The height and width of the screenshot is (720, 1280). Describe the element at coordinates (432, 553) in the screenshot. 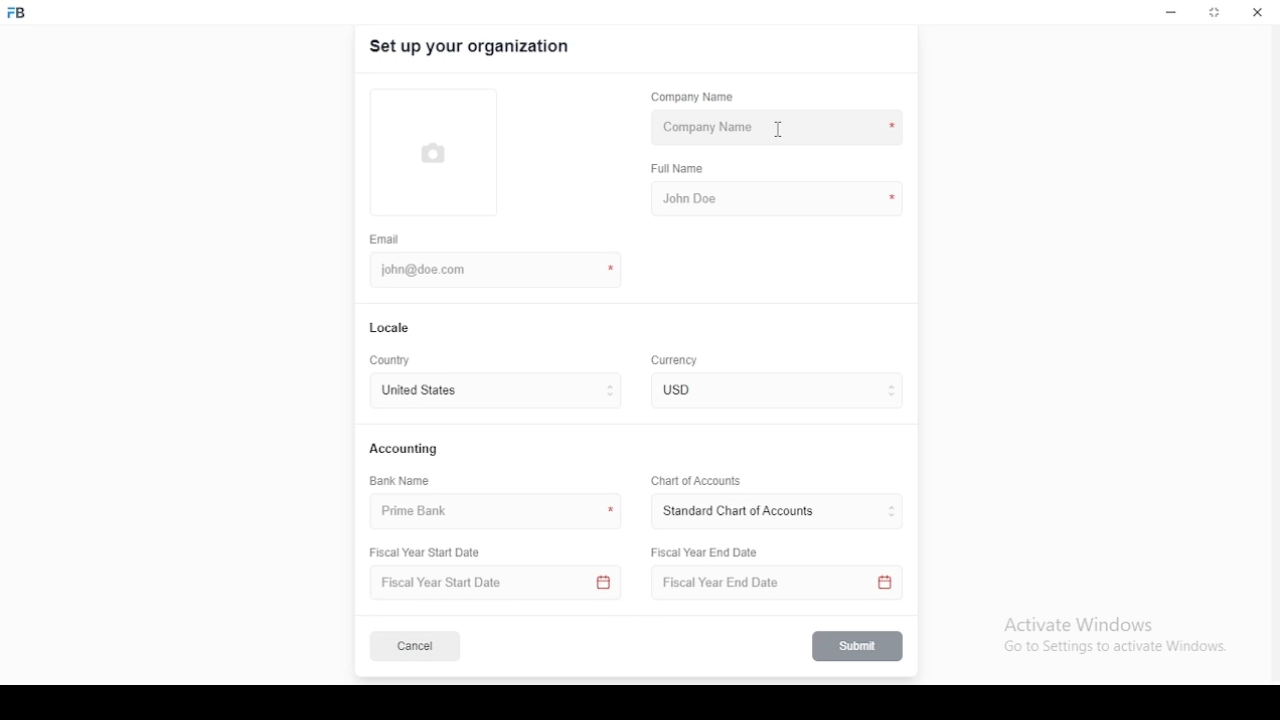

I see `Fiscal Year Start Date` at that location.